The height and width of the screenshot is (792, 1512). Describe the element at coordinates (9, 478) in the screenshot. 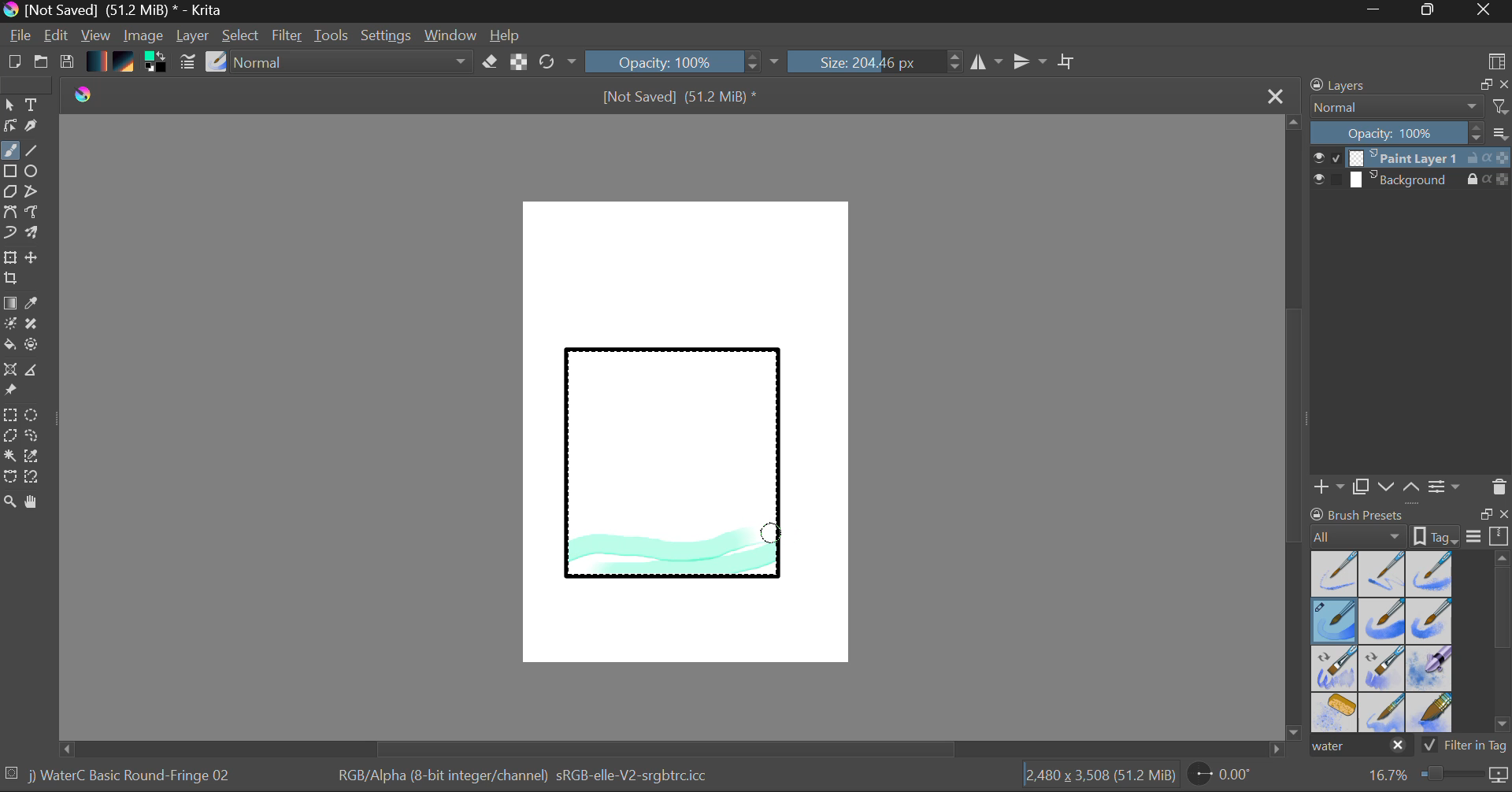

I see `Bezier Curve Selector` at that location.